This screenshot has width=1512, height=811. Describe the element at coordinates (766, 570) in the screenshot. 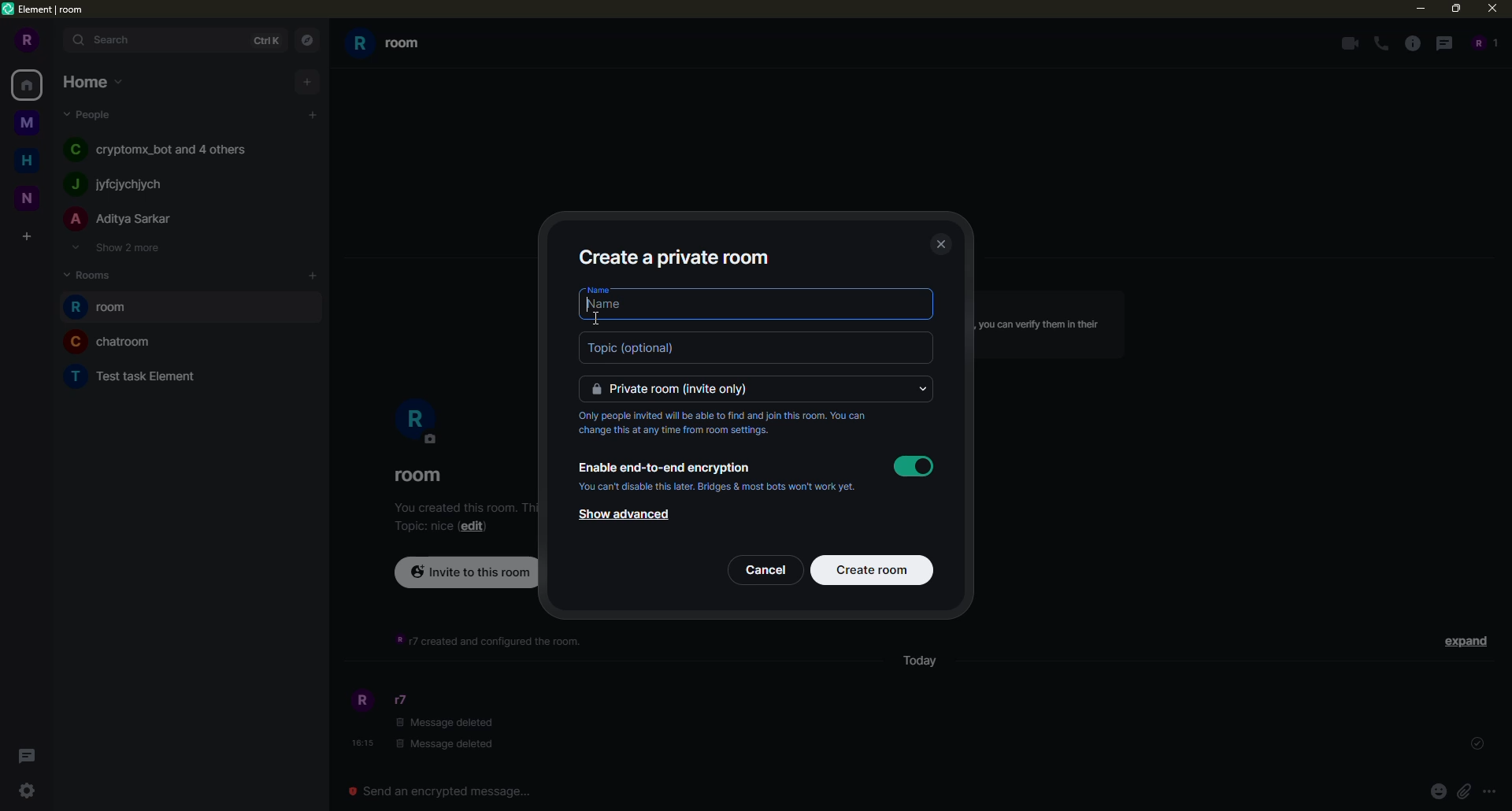

I see `cancel` at that location.